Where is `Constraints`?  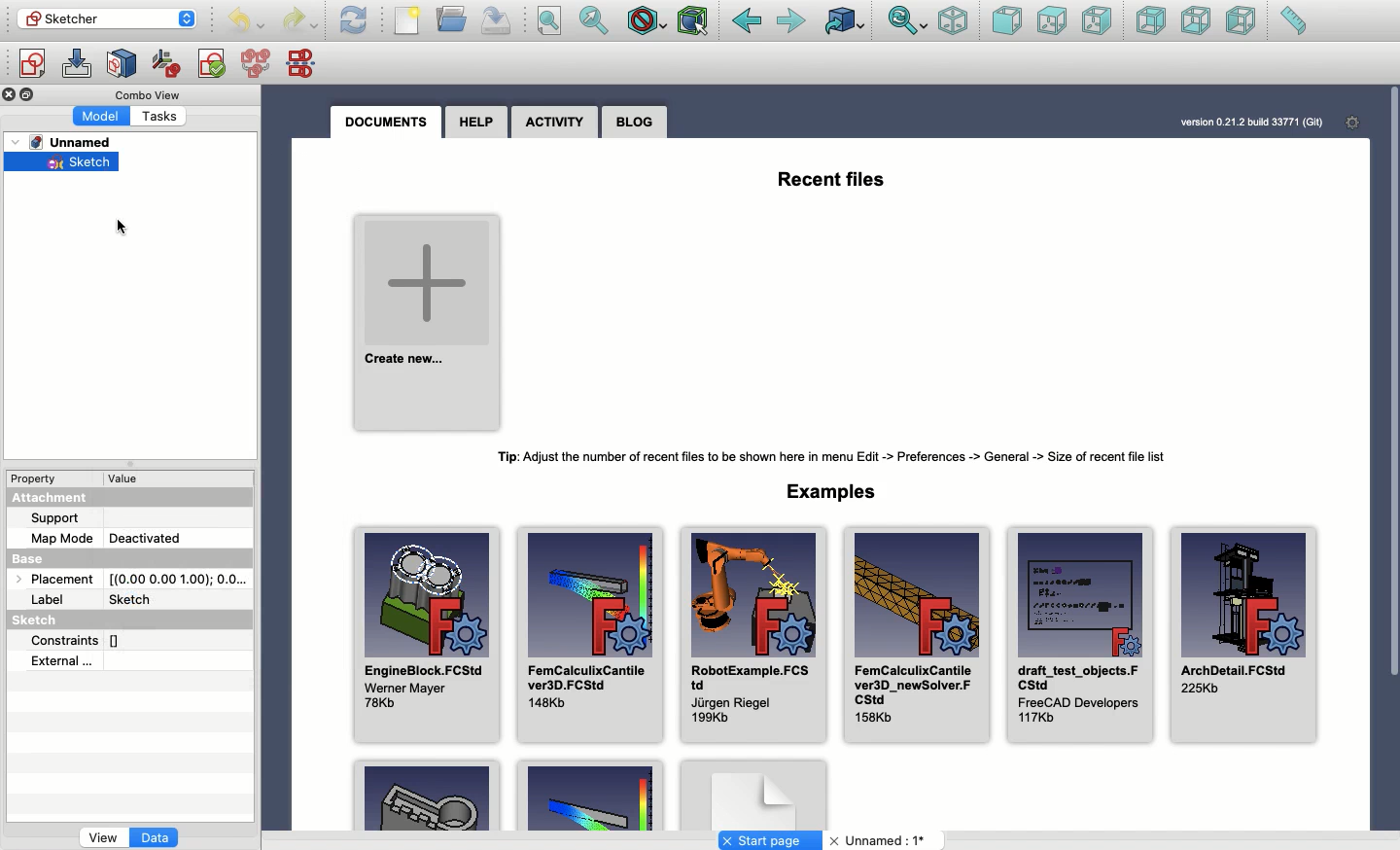 Constraints is located at coordinates (84, 639).